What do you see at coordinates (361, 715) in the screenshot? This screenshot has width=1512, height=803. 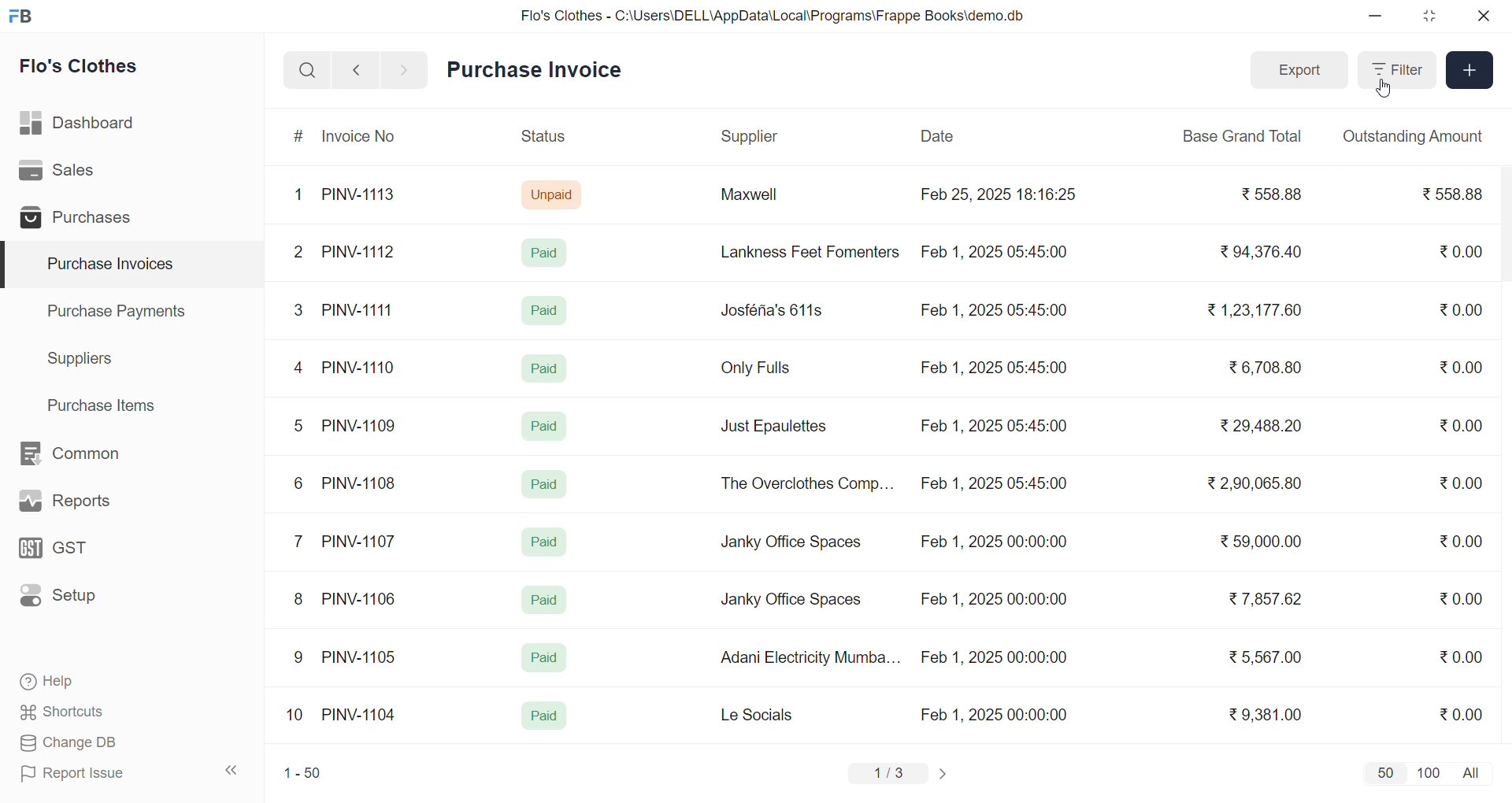 I see `PINV-1104` at bounding box center [361, 715].